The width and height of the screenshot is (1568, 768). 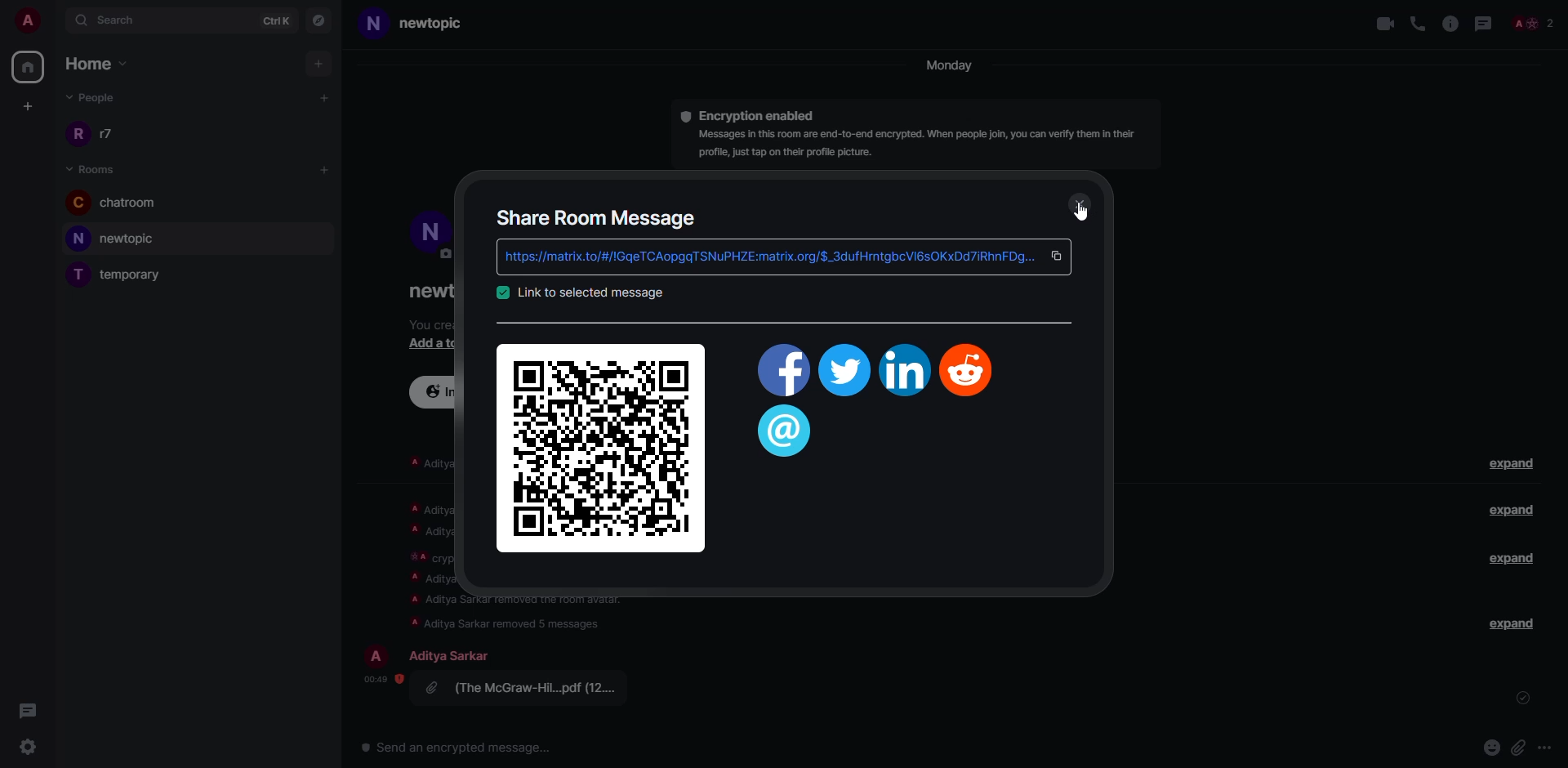 What do you see at coordinates (29, 66) in the screenshot?
I see `home` at bounding box center [29, 66].